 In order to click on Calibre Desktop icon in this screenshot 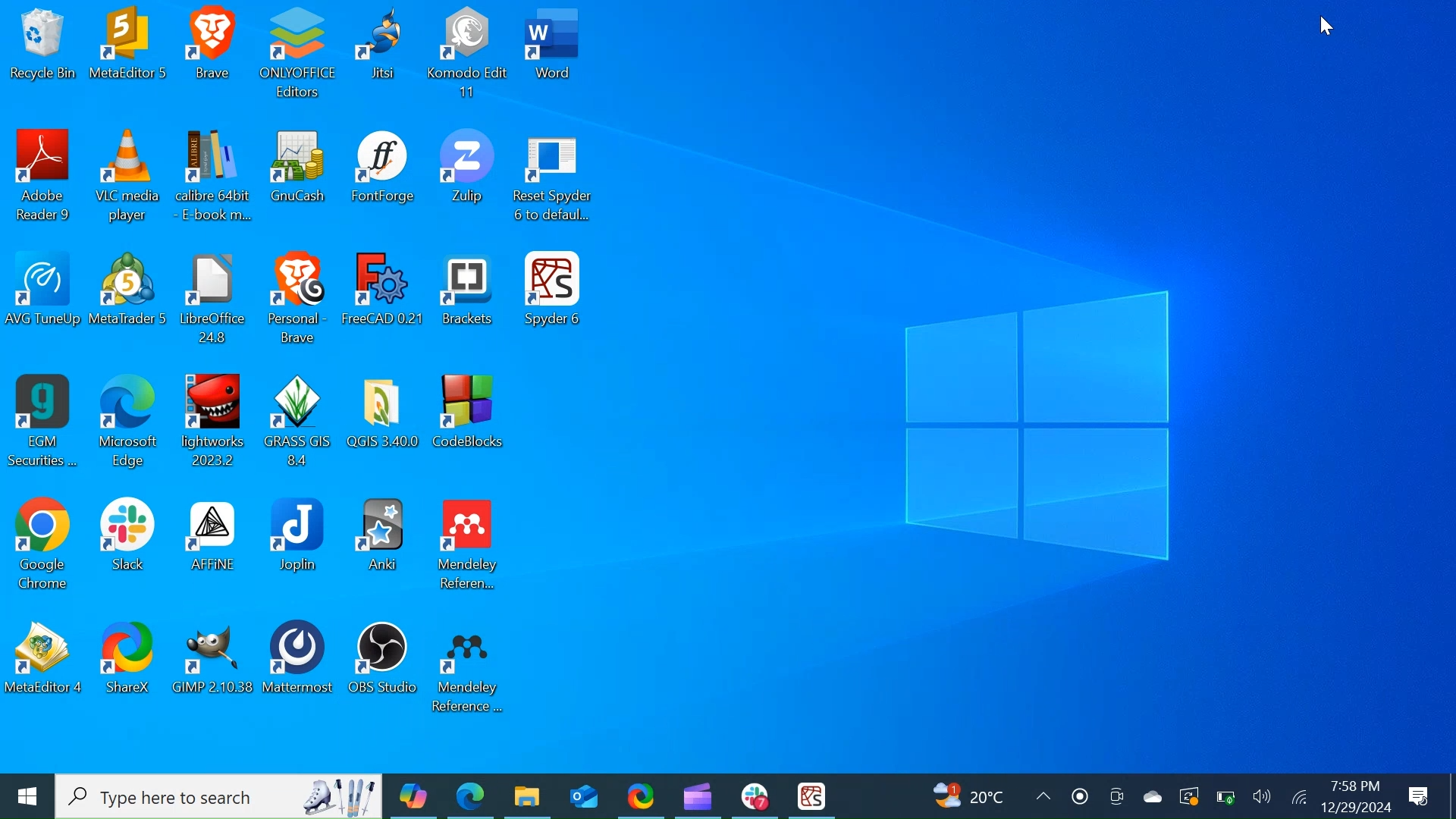, I will do `click(217, 178)`.